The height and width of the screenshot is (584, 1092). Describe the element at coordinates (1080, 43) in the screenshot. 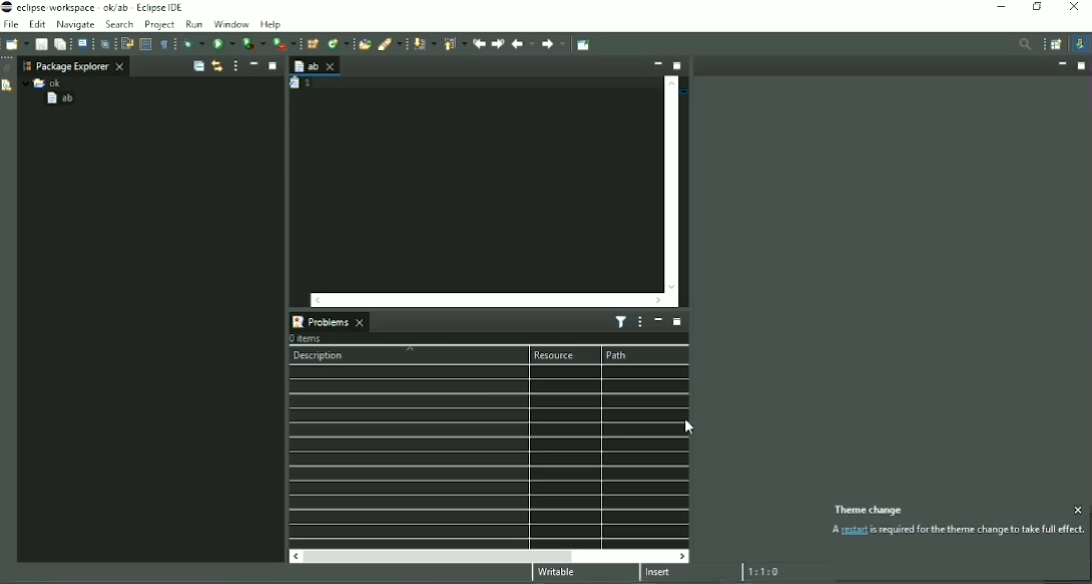

I see `Java` at that location.